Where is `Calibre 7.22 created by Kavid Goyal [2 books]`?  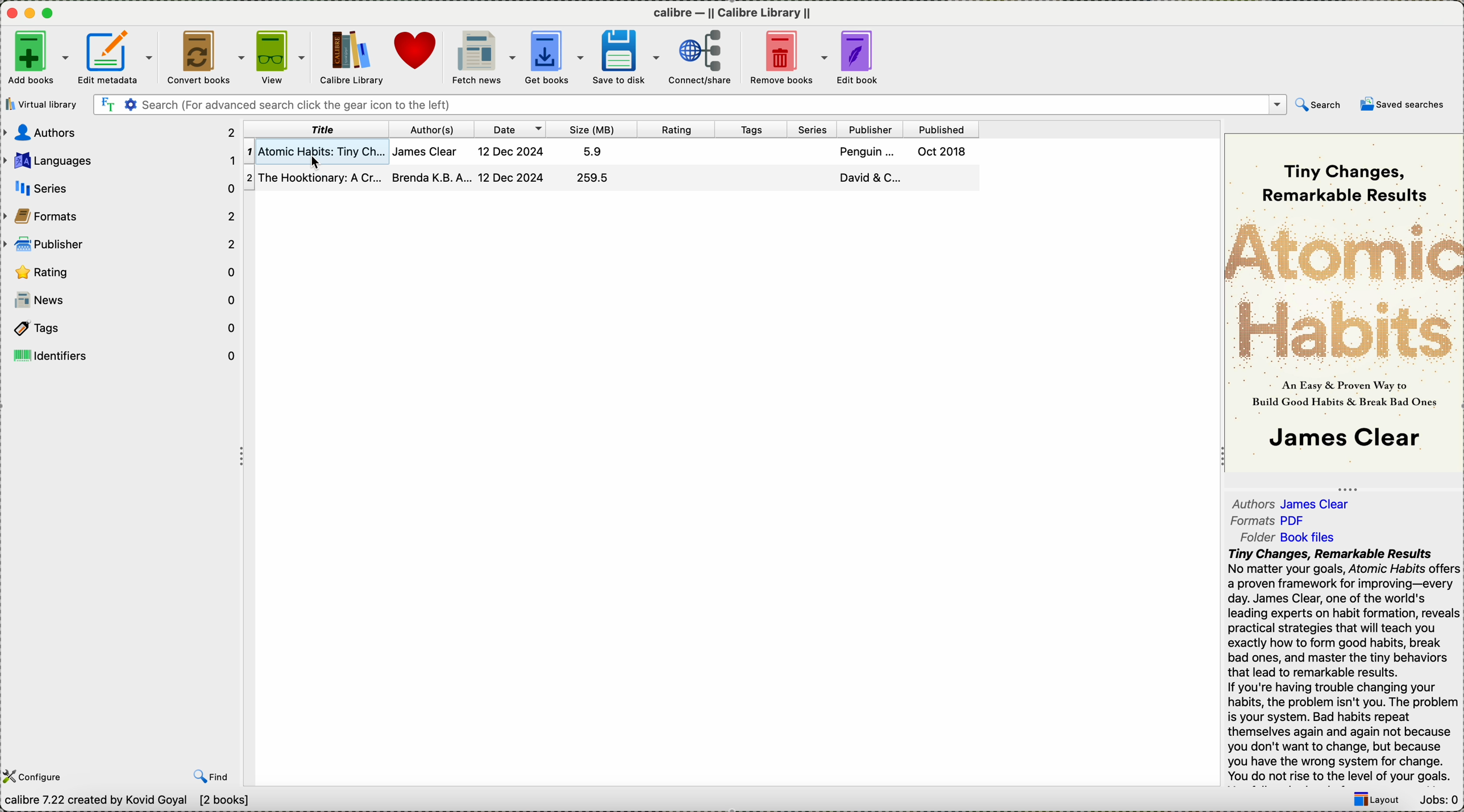
Calibre 7.22 created by Kavid Goyal [2 books] is located at coordinates (131, 802).